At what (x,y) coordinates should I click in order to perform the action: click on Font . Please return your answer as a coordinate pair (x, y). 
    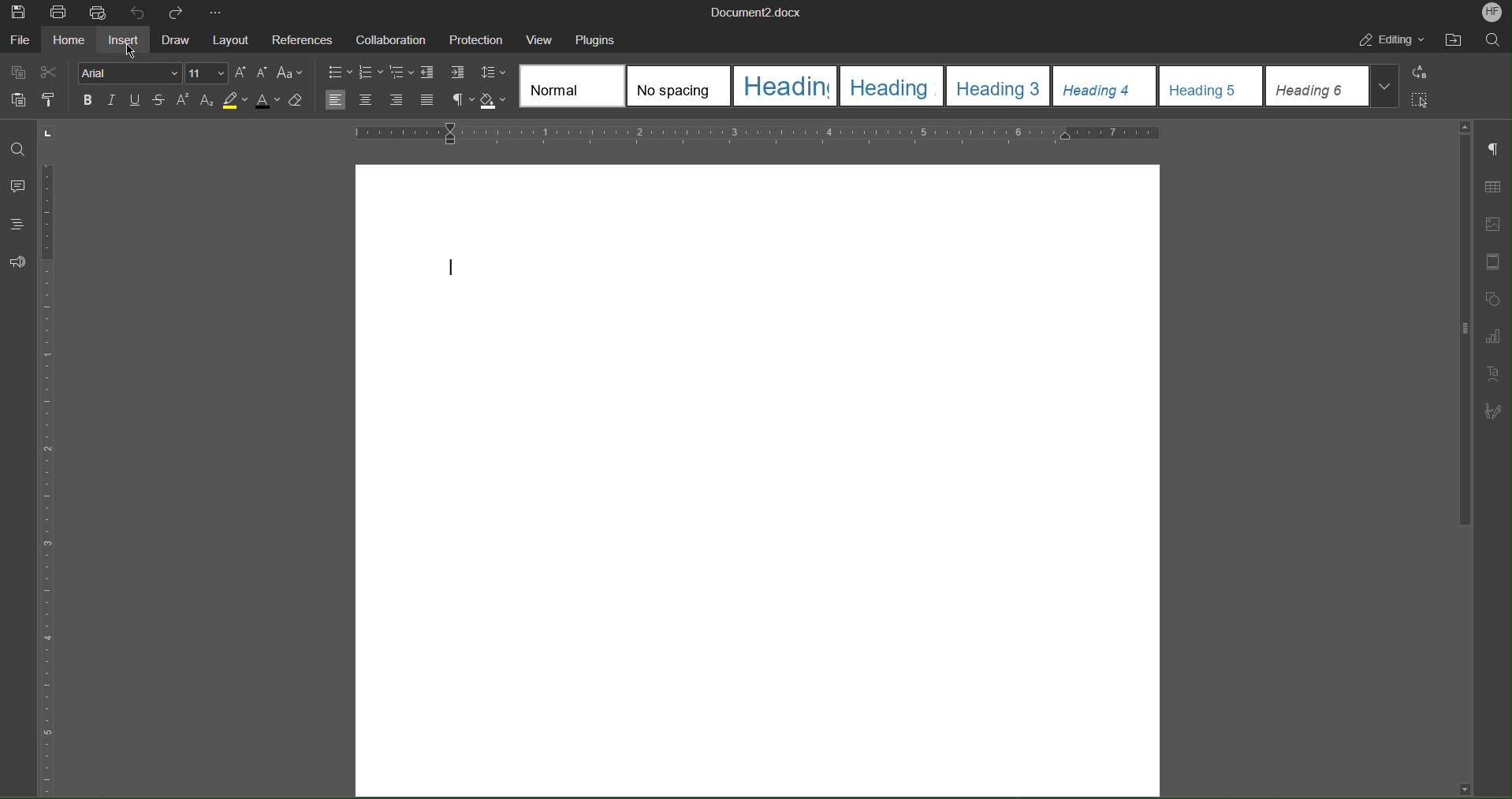
    Looking at the image, I should click on (131, 72).